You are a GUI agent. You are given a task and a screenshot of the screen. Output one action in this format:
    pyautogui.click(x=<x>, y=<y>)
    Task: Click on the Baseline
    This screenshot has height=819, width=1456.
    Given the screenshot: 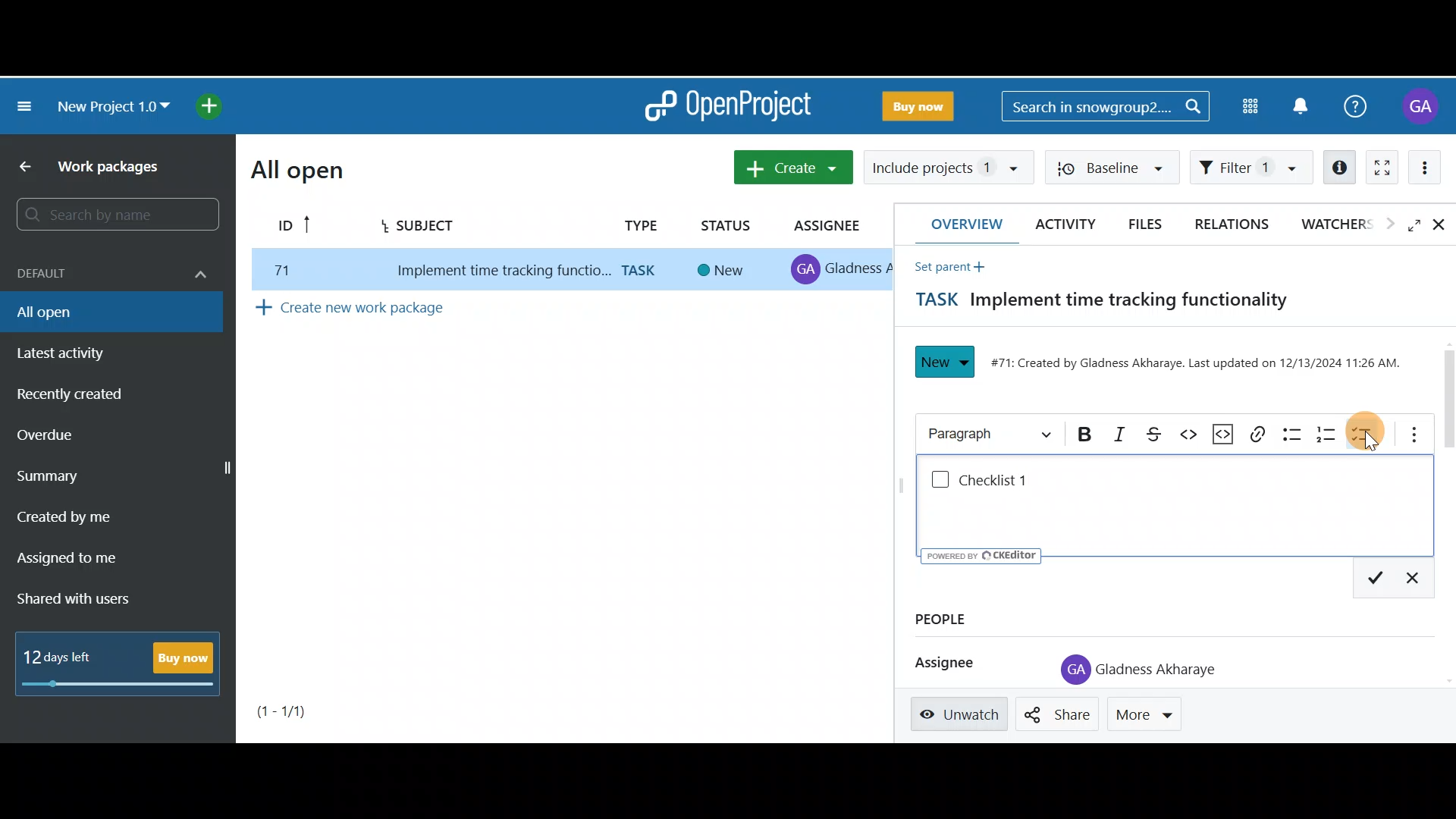 What is the action you would take?
    pyautogui.click(x=1119, y=168)
    